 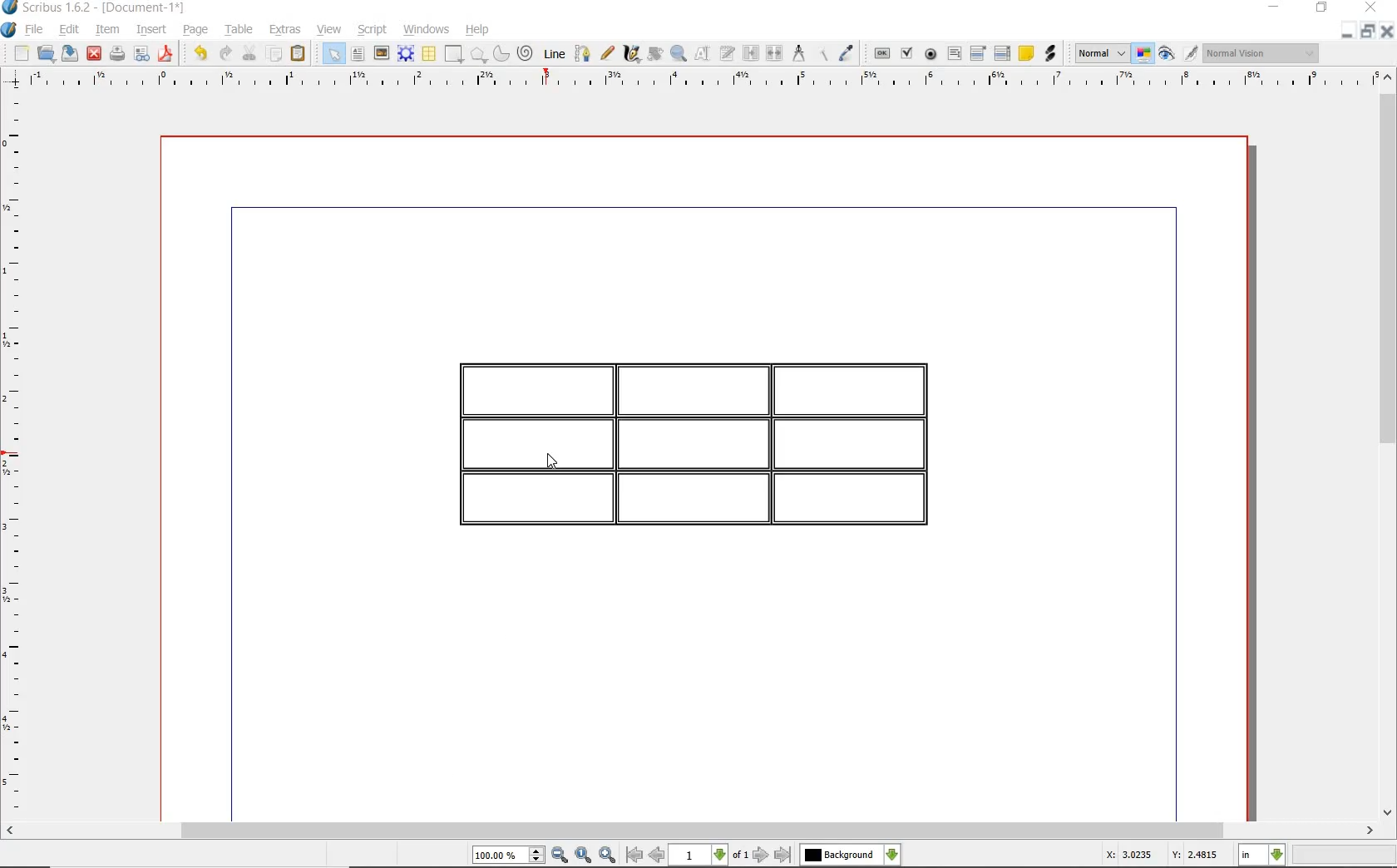 I want to click on ruler, so click(x=693, y=81).